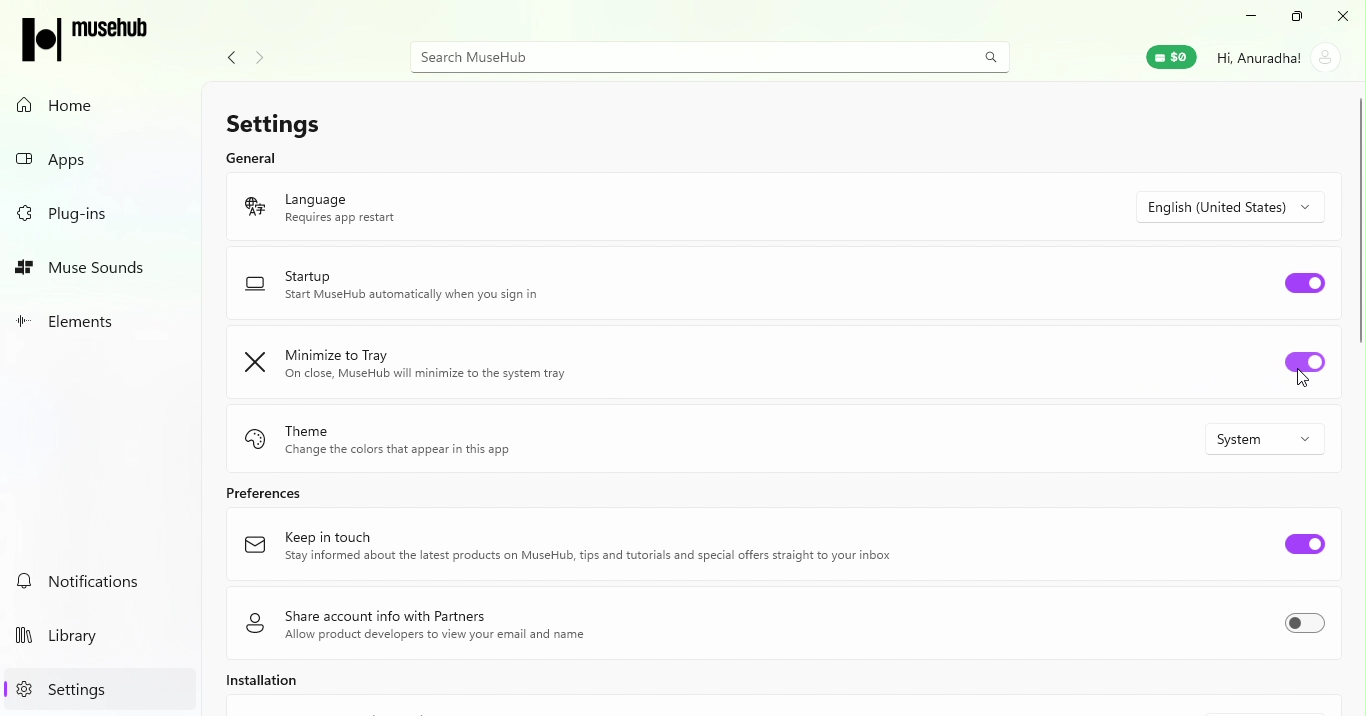 The image size is (1366, 716). Describe the element at coordinates (1346, 16) in the screenshot. I see `Close` at that location.